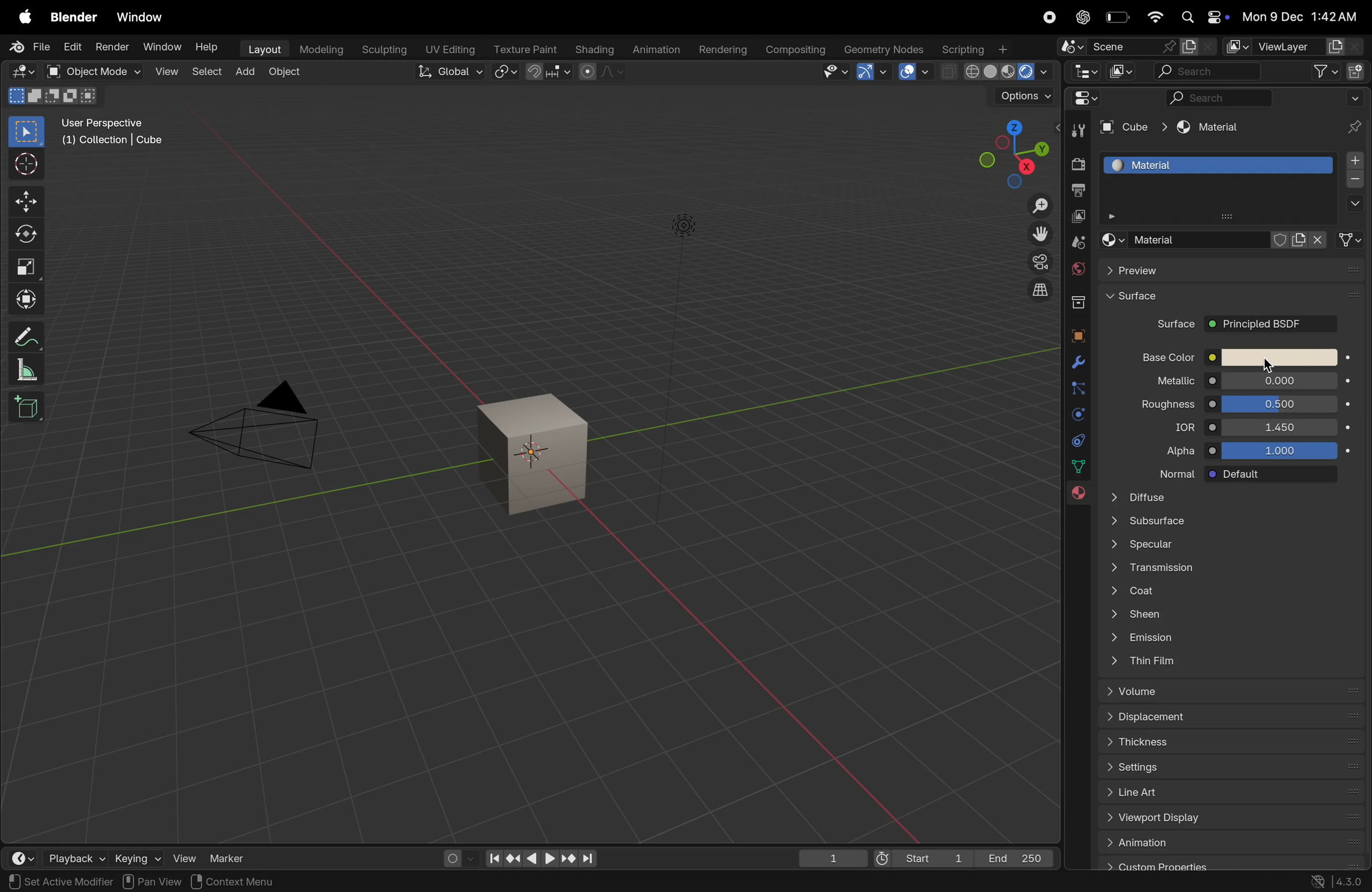 This screenshot has width=1372, height=892. I want to click on keying, so click(124, 858).